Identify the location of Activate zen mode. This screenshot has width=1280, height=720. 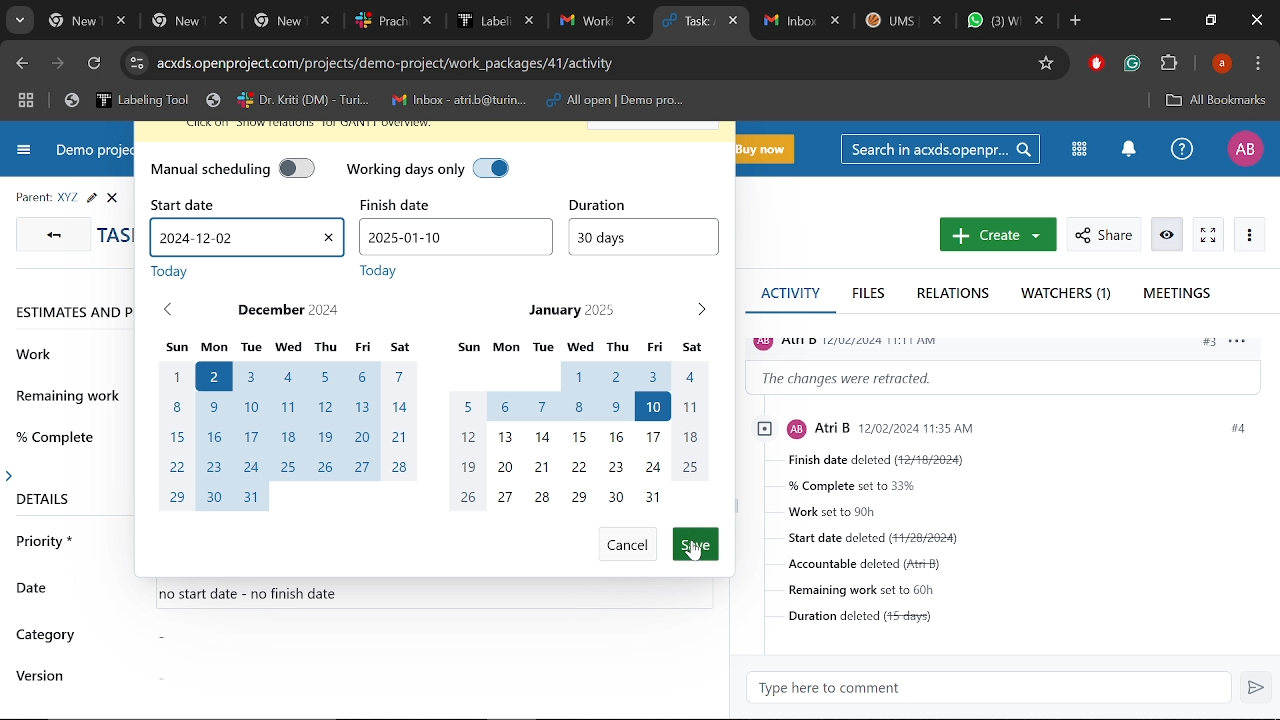
(1208, 235).